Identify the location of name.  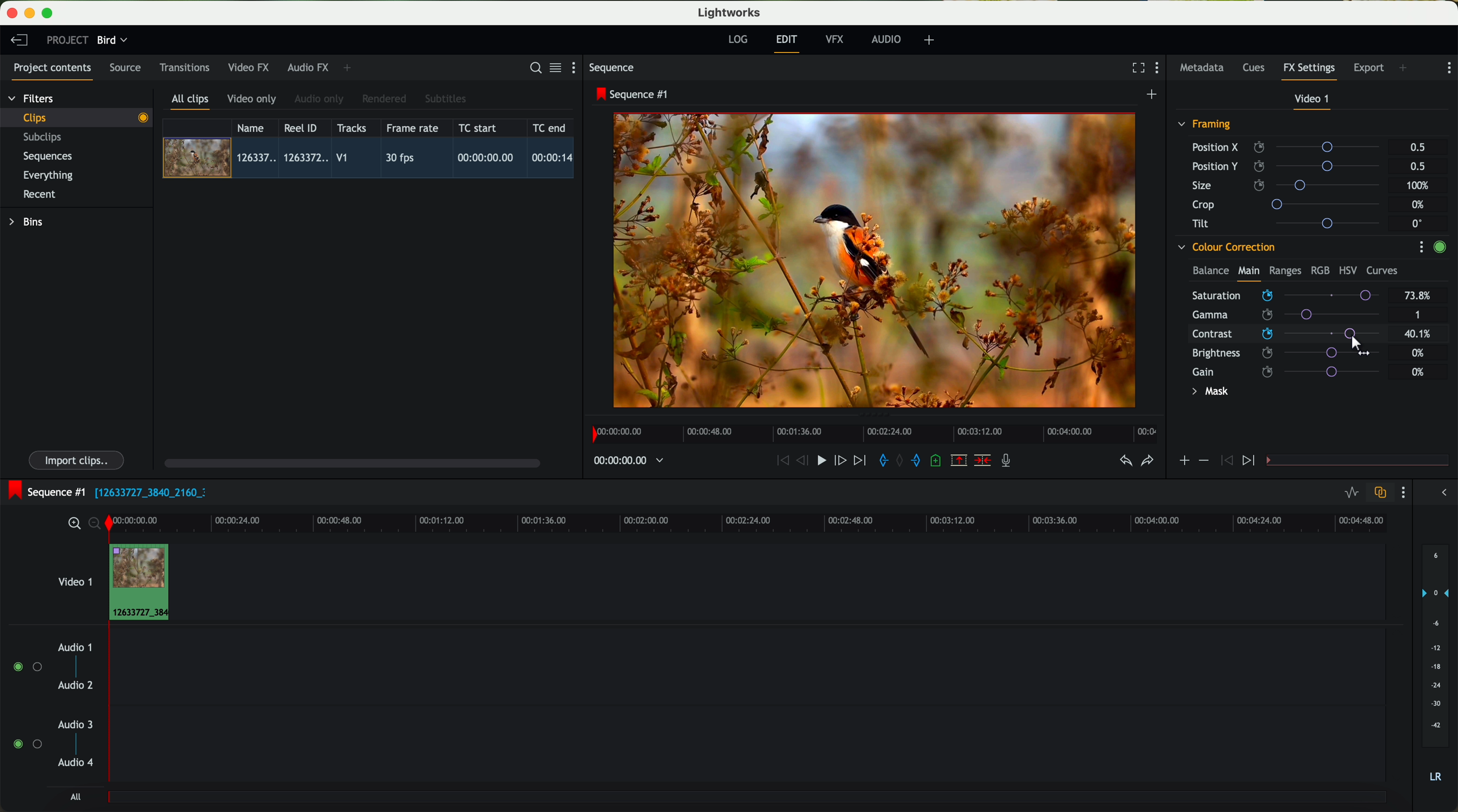
(255, 128).